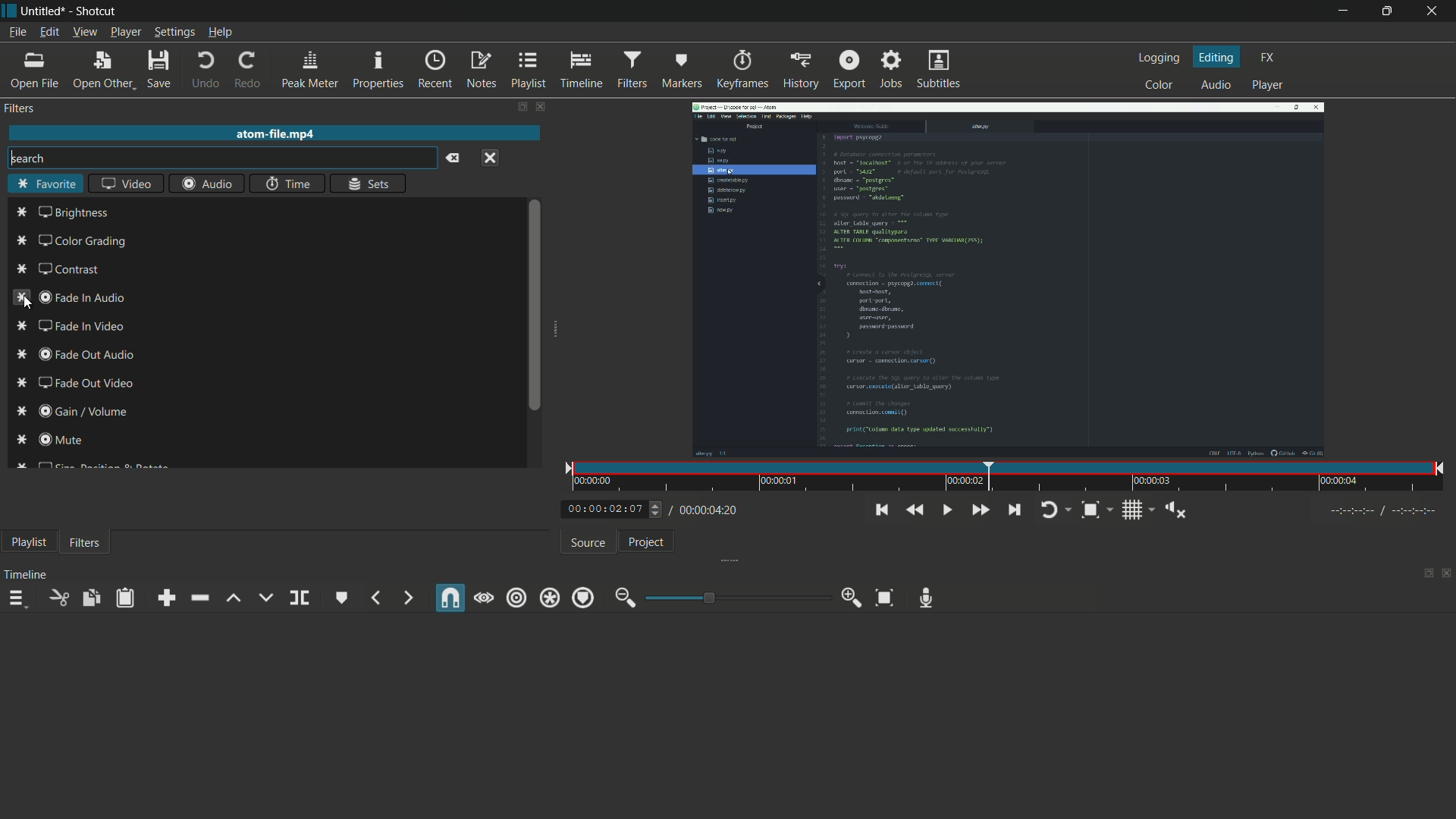 Image resolution: width=1456 pixels, height=819 pixels. Describe the element at coordinates (1097, 510) in the screenshot. I see `toggle zoom` at that location.